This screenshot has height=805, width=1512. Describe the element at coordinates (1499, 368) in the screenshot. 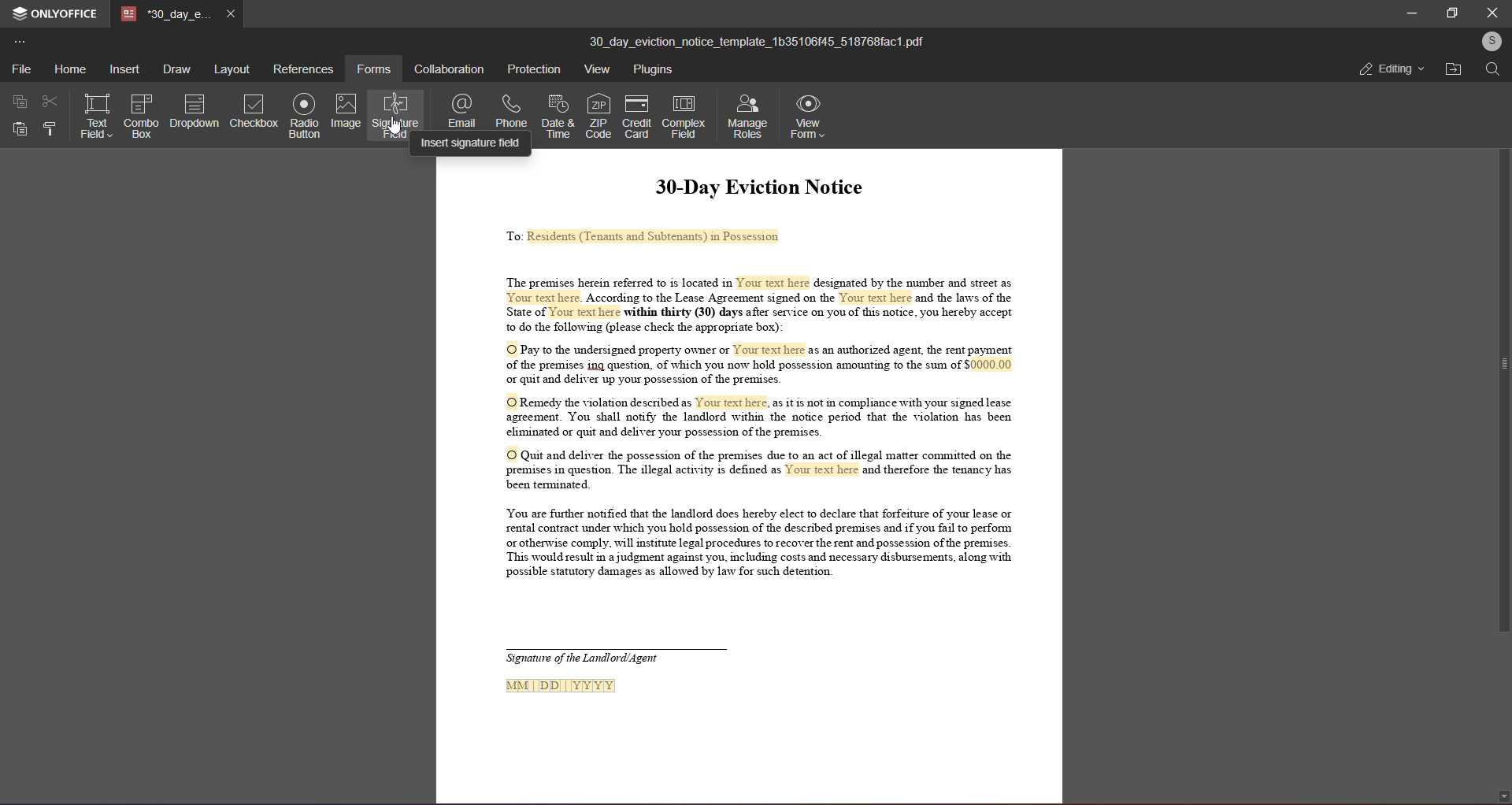

I see `scroll bar` at that location.